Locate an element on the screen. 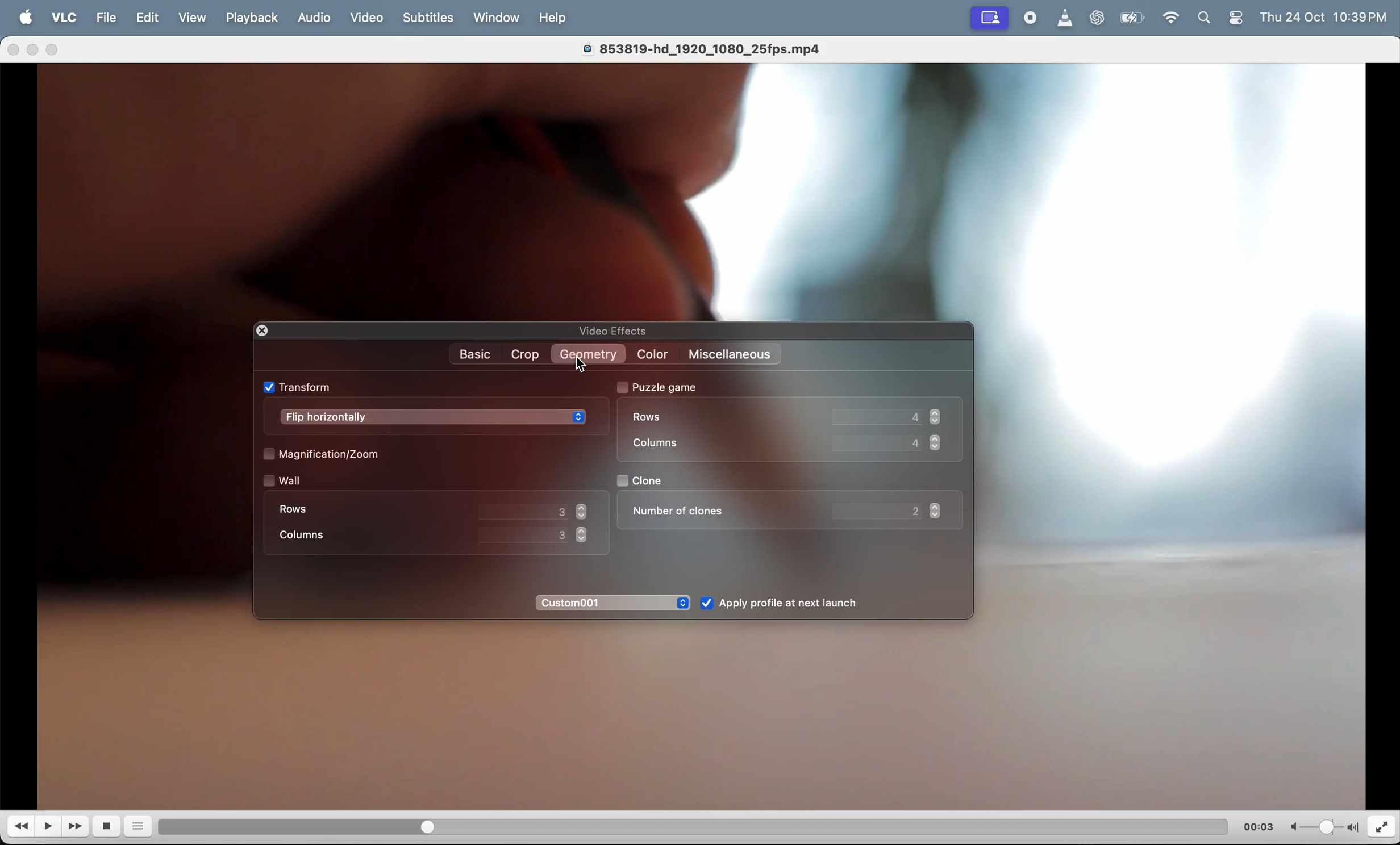 The image size is (1400, 845). view is located at coordinates (198, 18).